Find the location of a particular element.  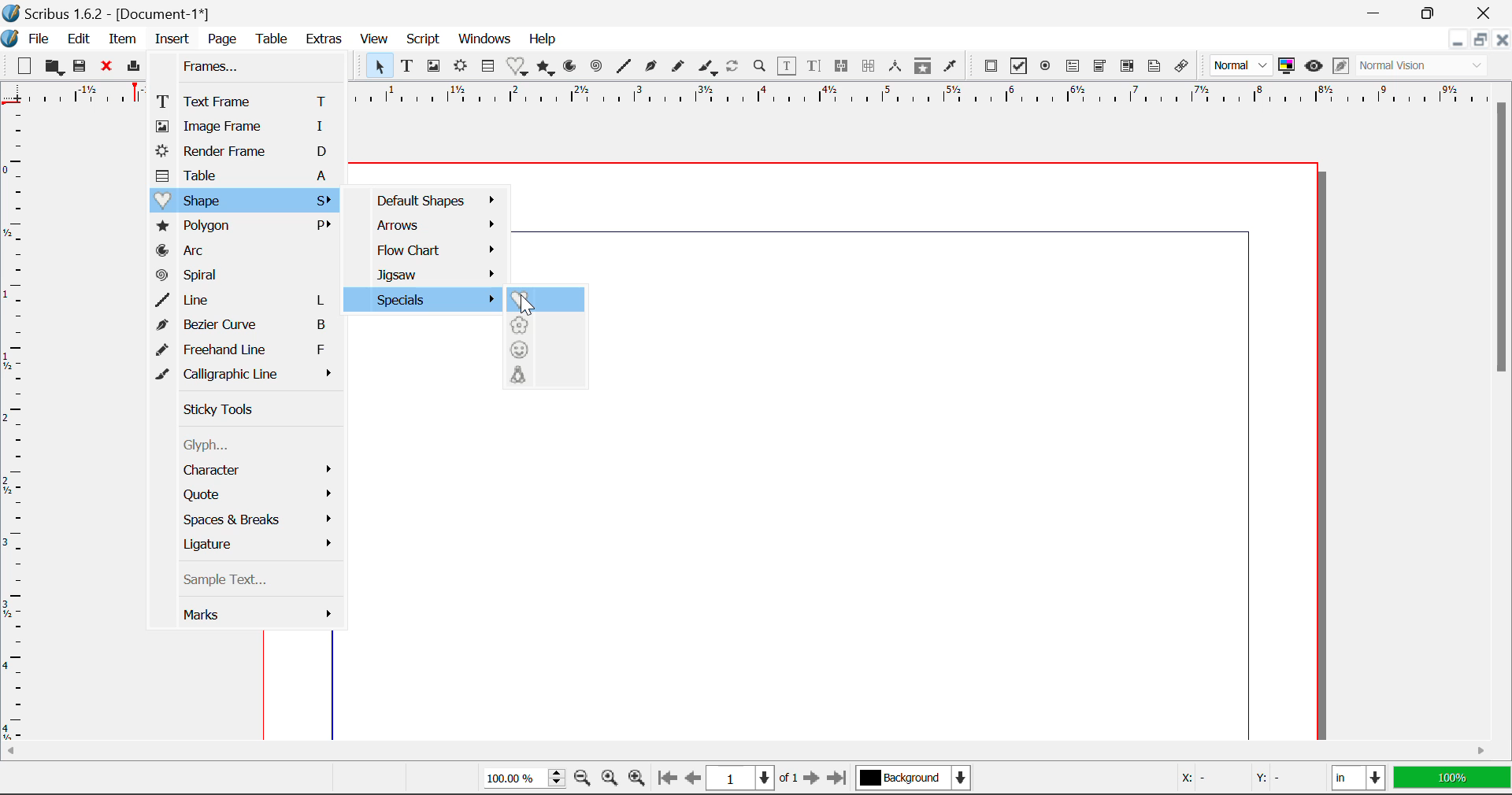

Calligraphic Line is located at coordinates (249, 376).